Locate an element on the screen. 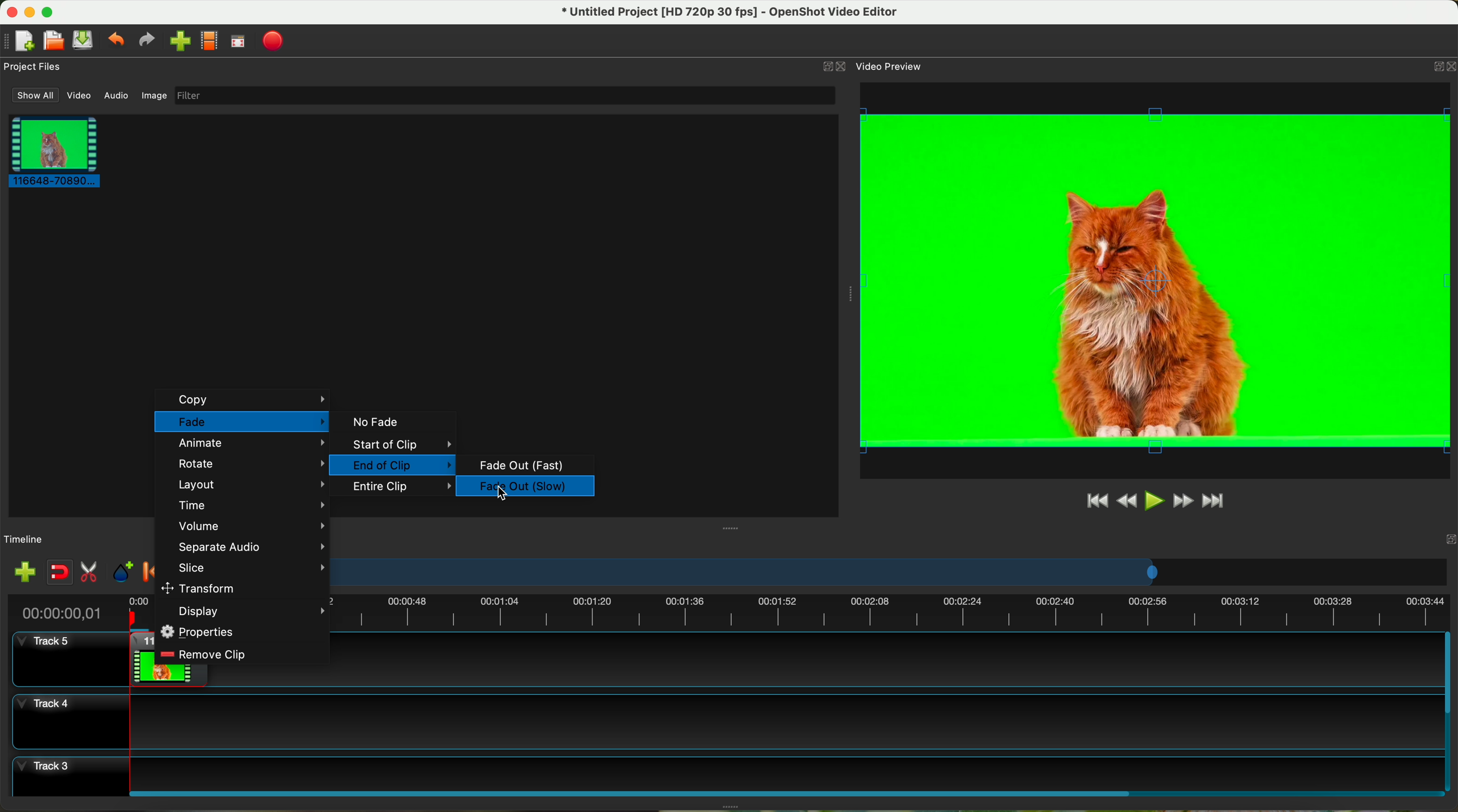 Image resolution: width=1458 pixels, height=812 pixels. volume is located at coordinates (251, 526).